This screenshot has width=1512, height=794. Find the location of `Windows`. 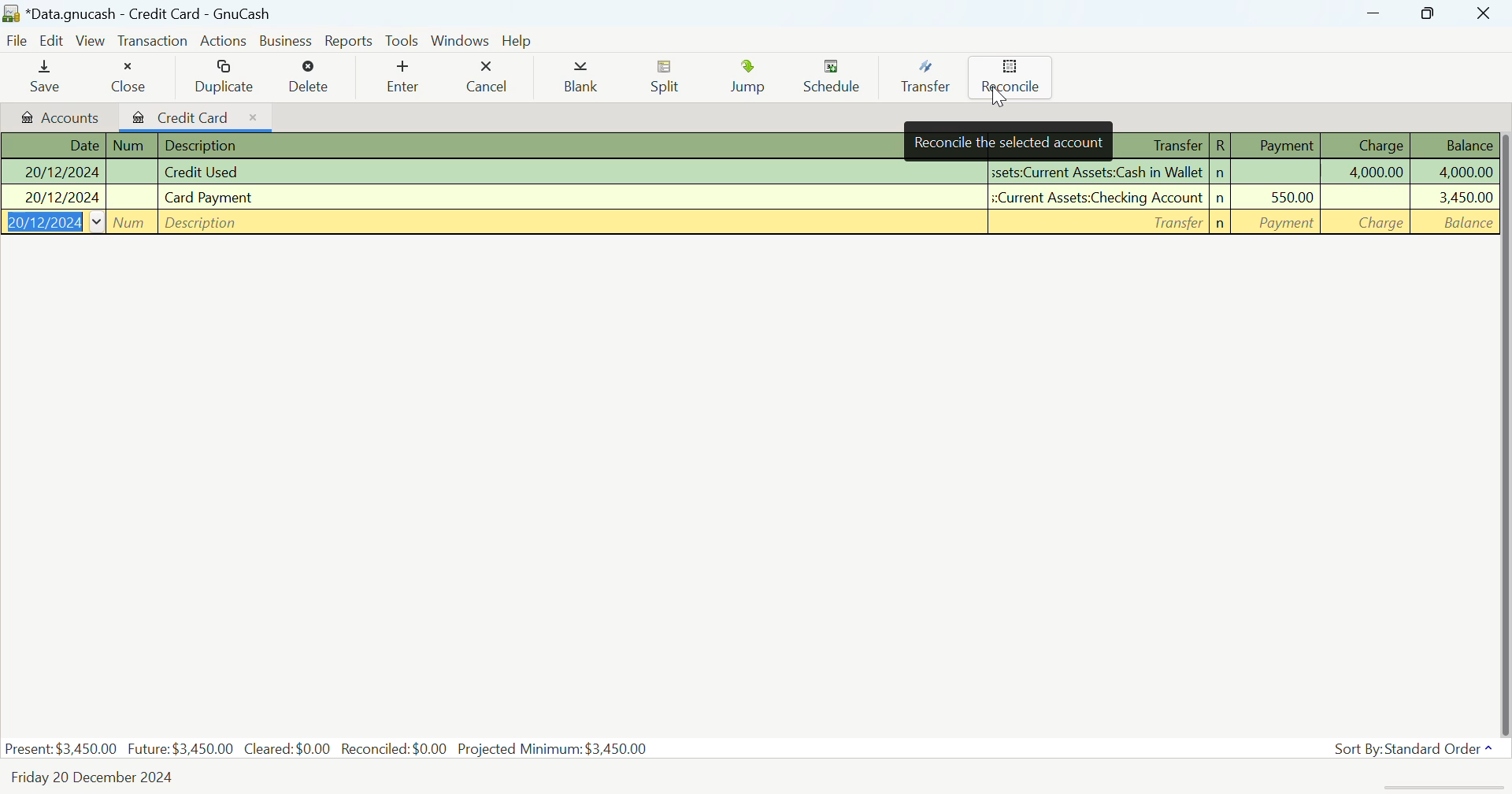

Windows is located at coordinates (460, 39).